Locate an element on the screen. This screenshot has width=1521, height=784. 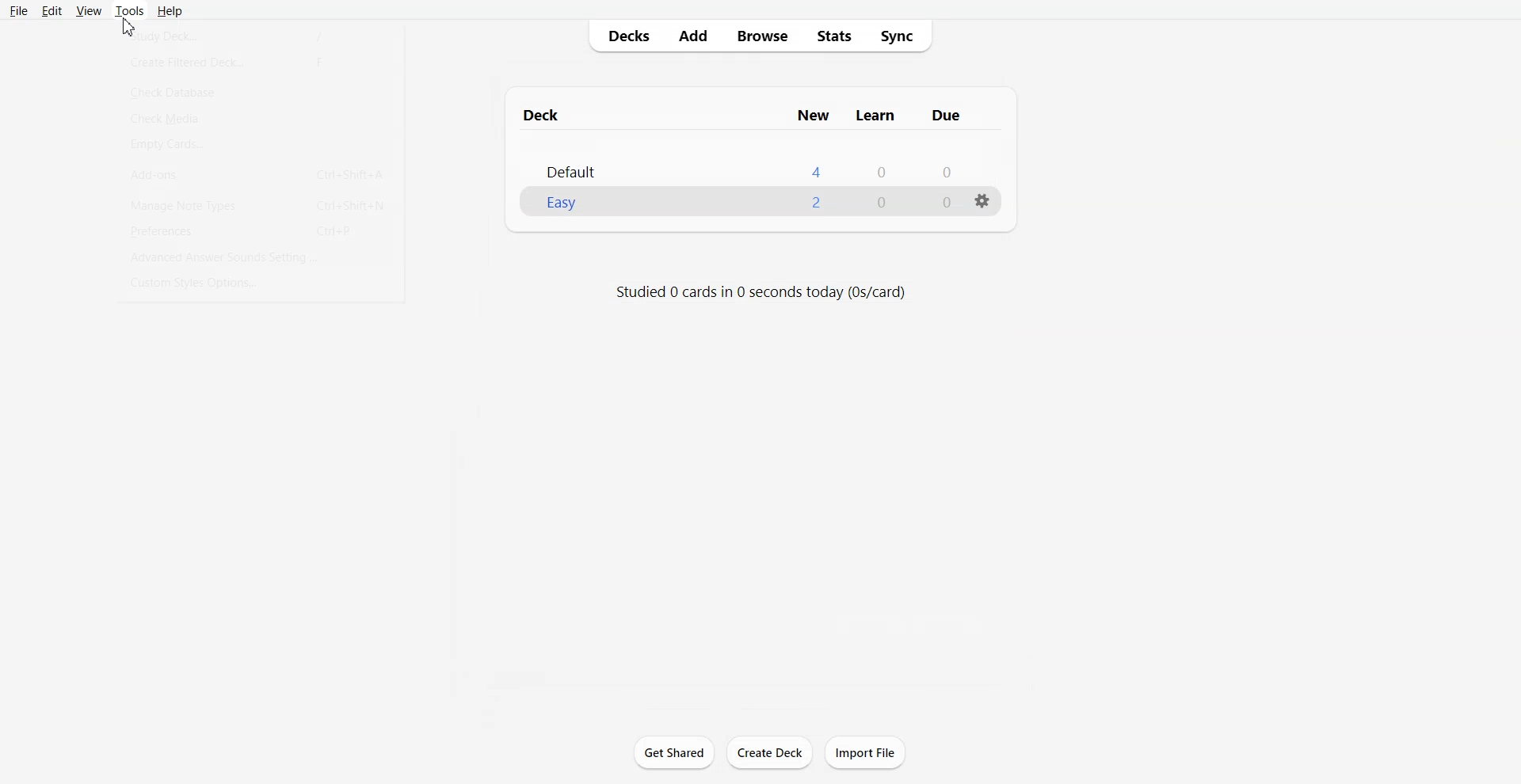
import file is located at coordinates (871, 752).